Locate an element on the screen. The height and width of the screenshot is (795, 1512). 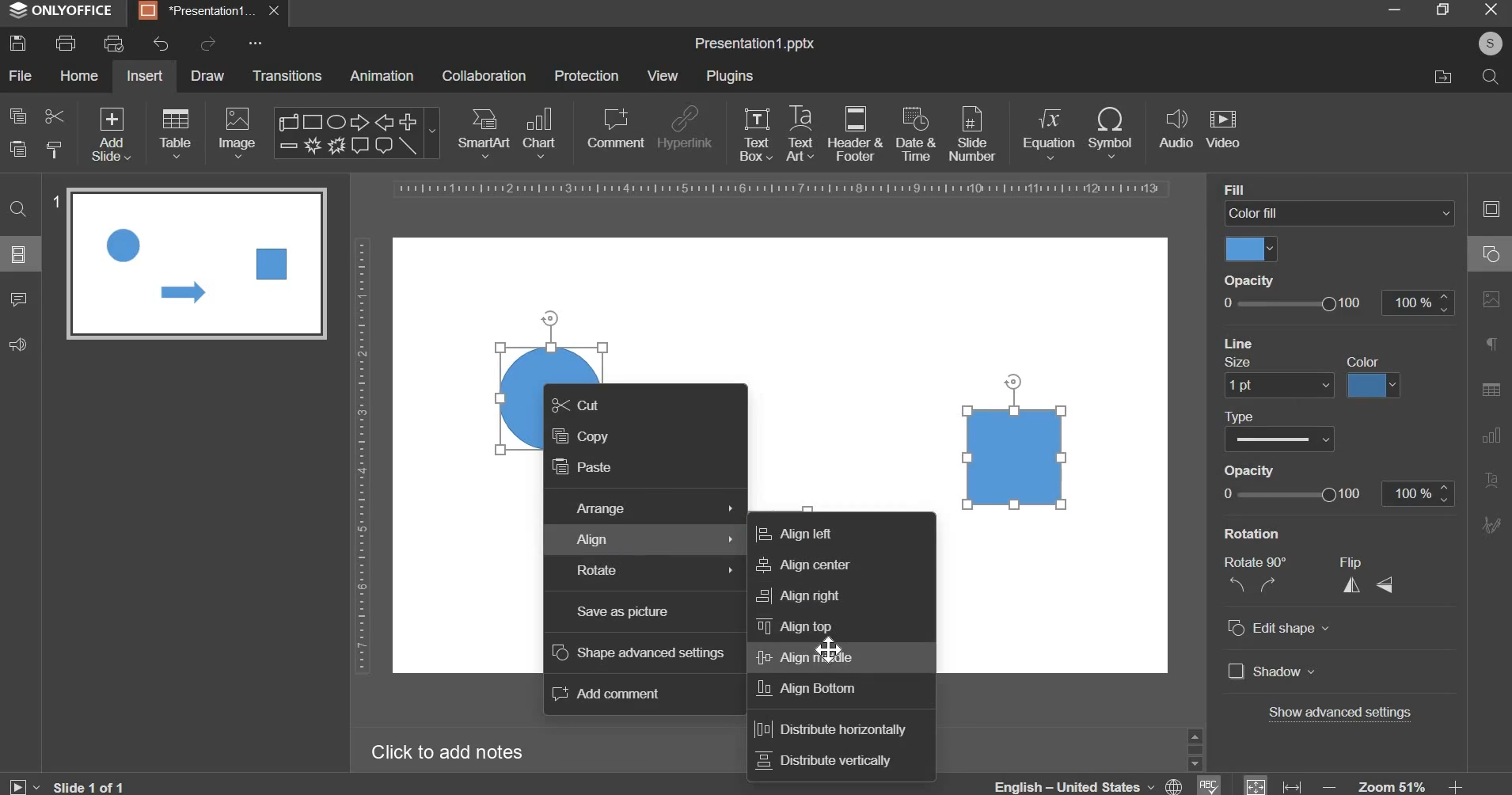
search is located at coordinates (1489, 75).